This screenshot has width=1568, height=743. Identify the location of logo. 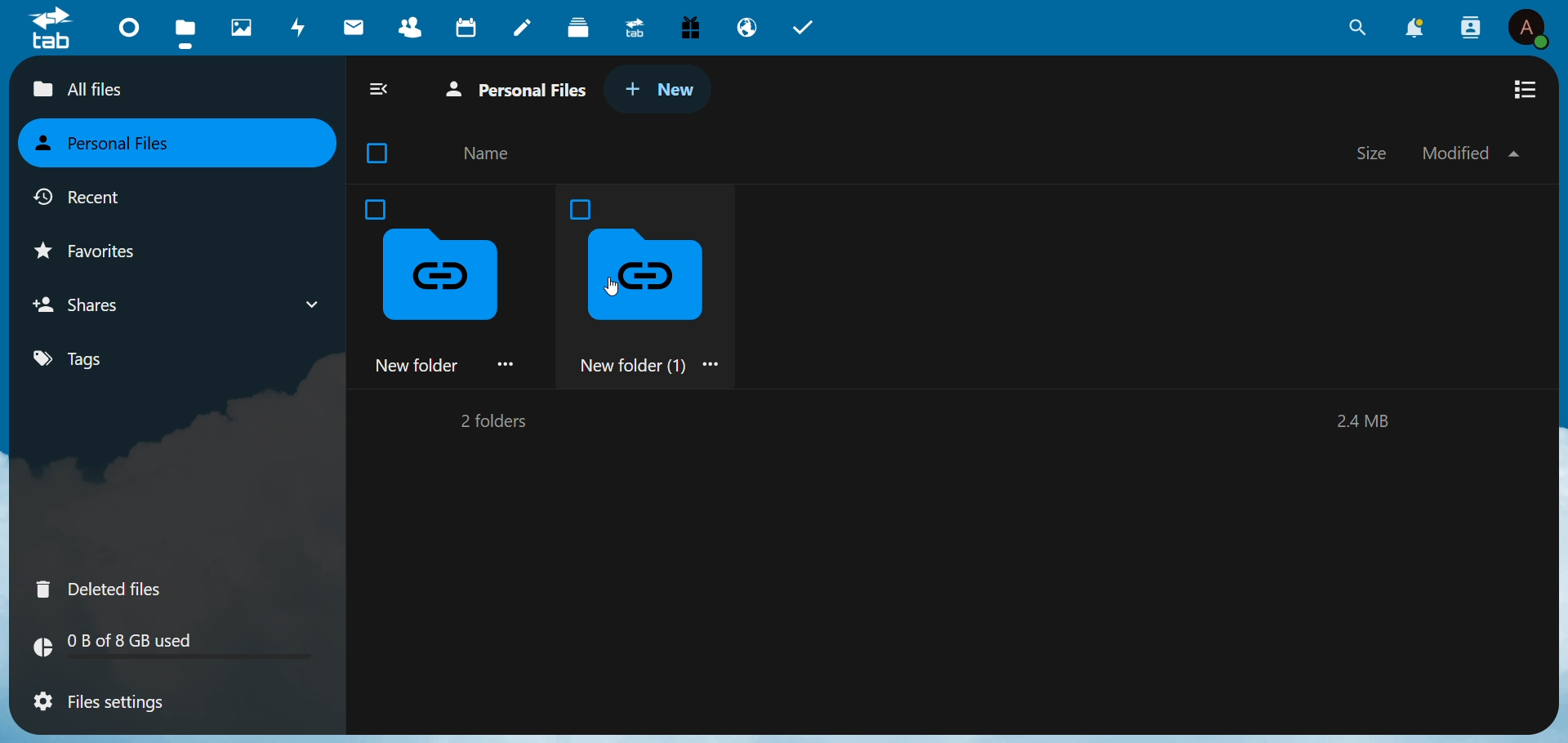
(53, 29).